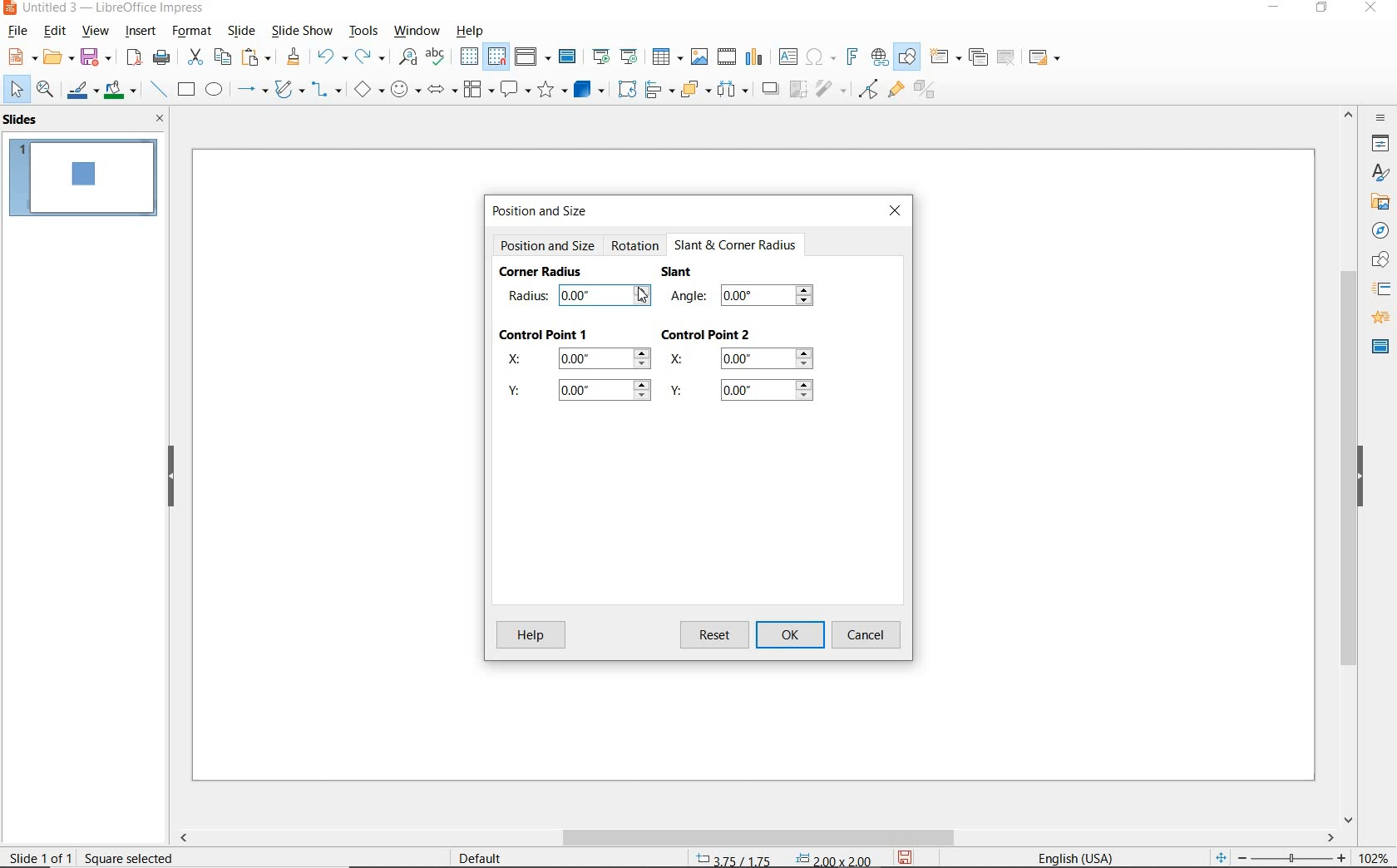  Describe the element at coordinates (1380, 174) in the screenshot. I see `styles` at that location.